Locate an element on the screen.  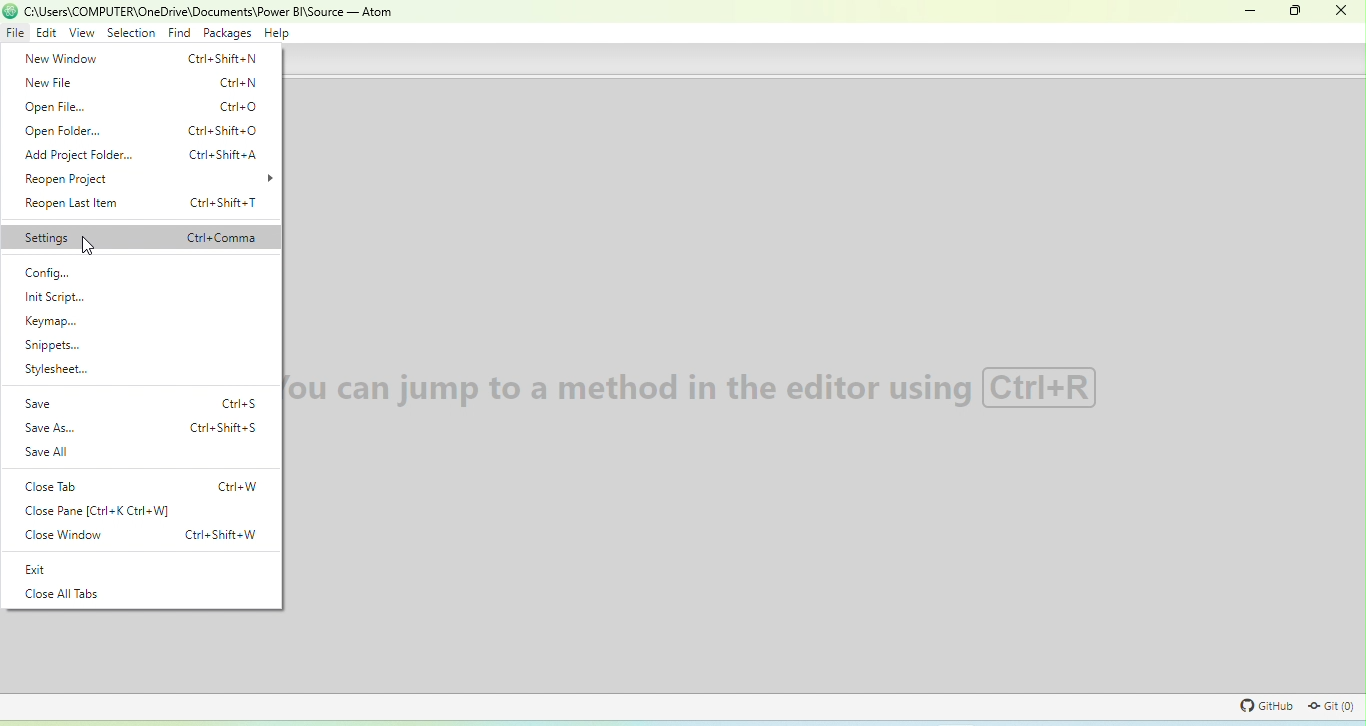
save all is located at coordinates (56, 454).